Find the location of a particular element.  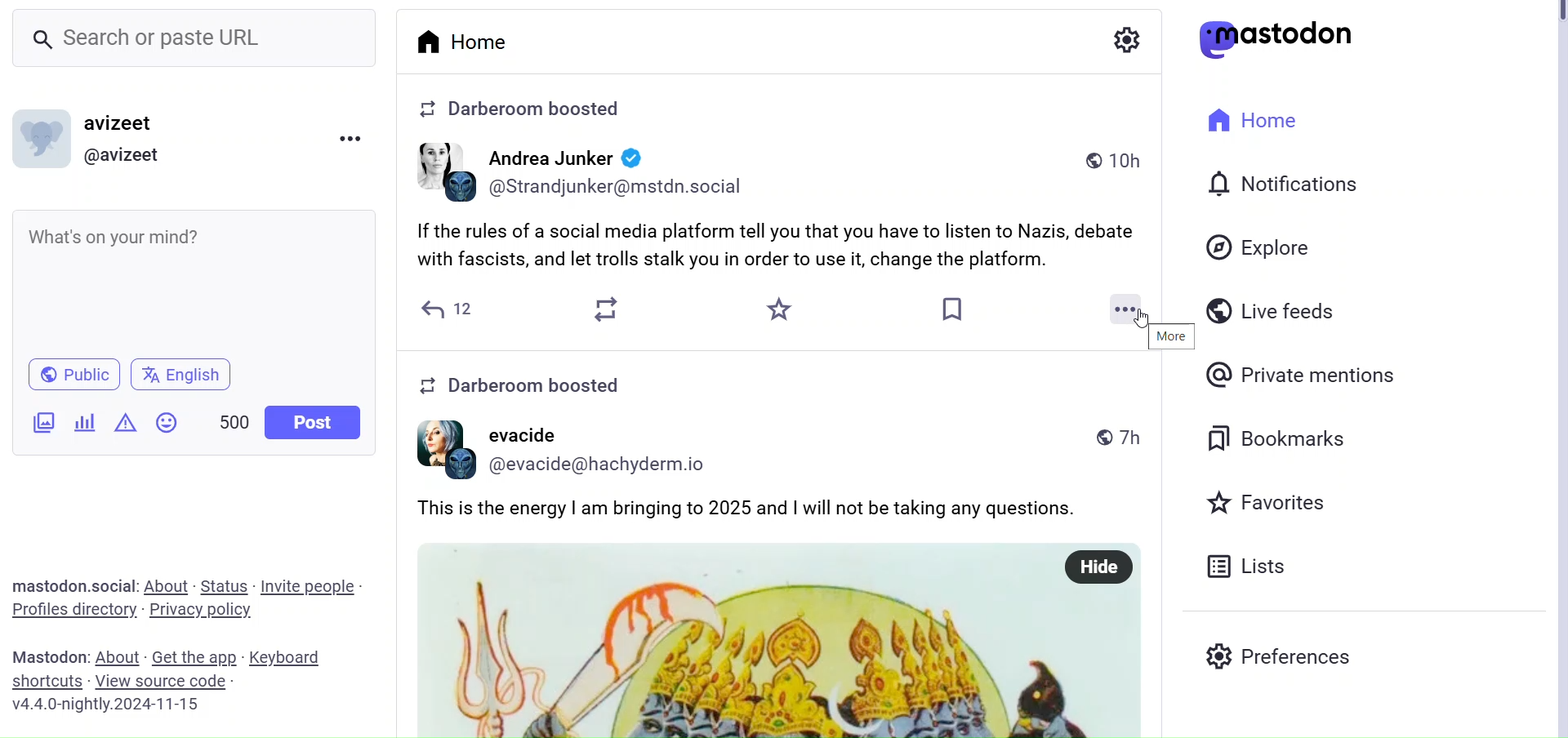

Favorites is located at coordinates (1269, 501).